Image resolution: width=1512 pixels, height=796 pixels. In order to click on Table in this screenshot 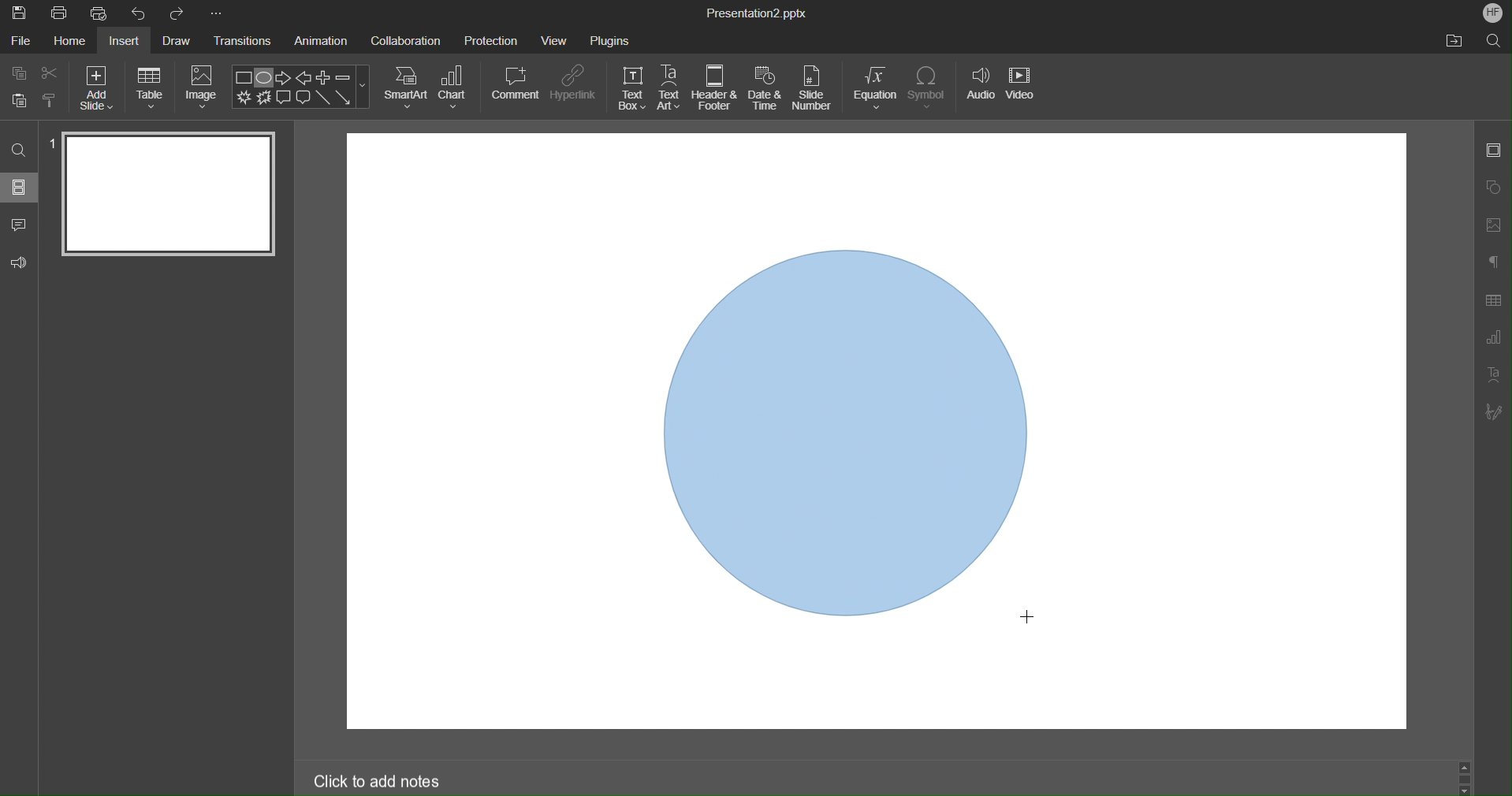, I will do `click(150, 87)`.